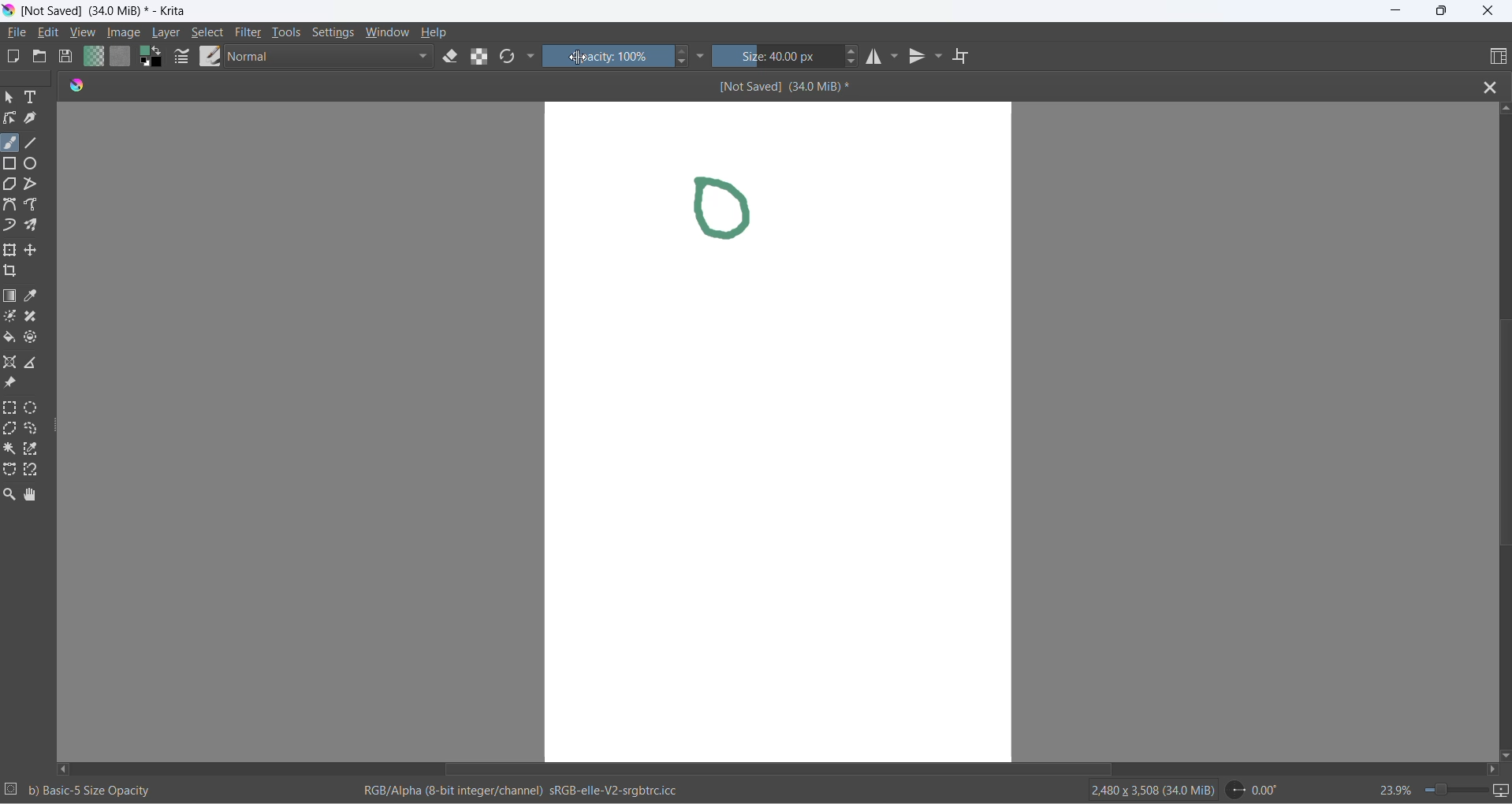 The width and height of the screenshot is (1512, 804). Describe the element at coordinates (508, 56) in the screenshot. I see `reload original presets` at that location.